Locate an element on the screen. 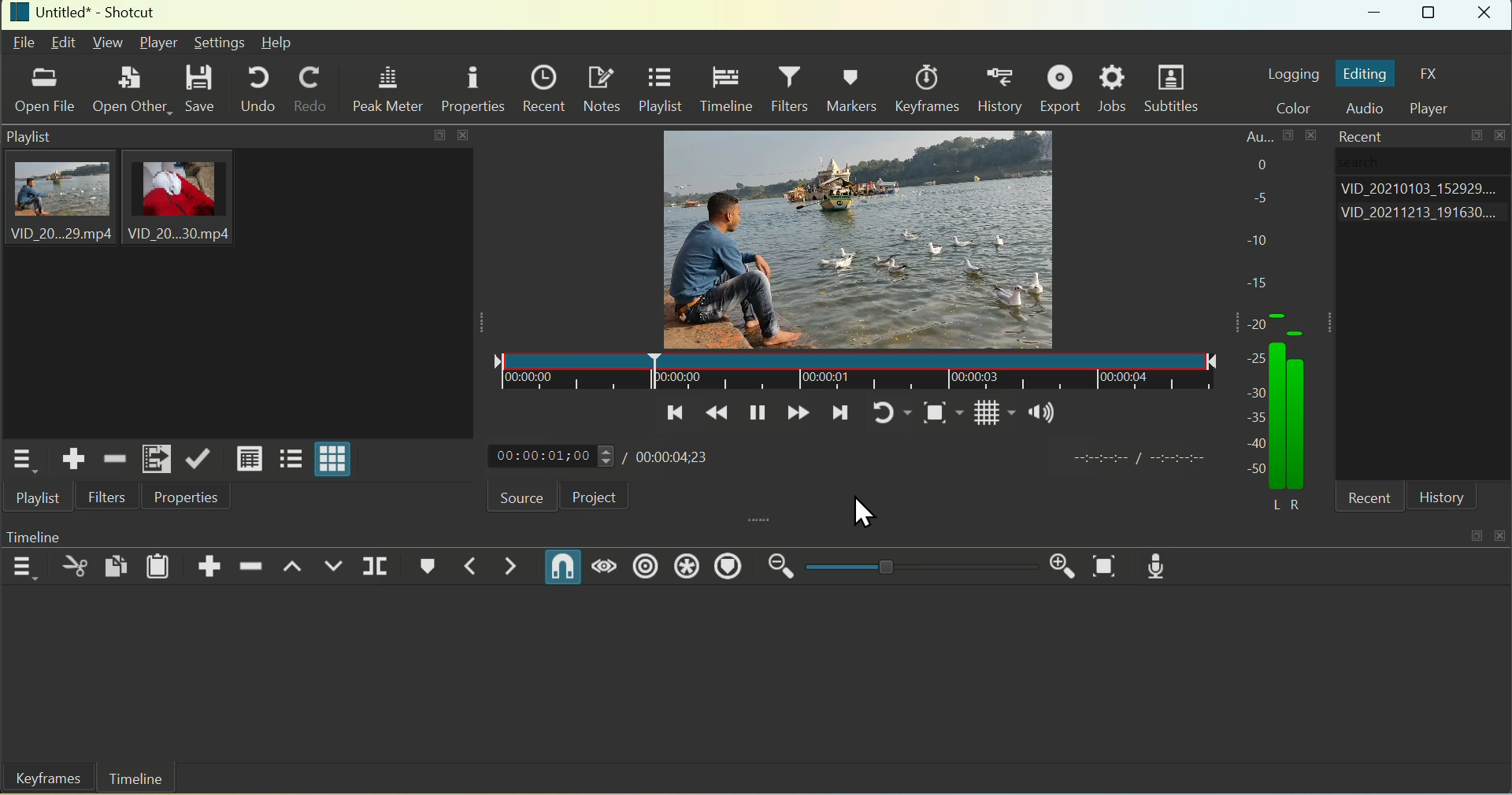 This screenshot has height=795, width=1512. Player is located at coordinates (1437, 109).